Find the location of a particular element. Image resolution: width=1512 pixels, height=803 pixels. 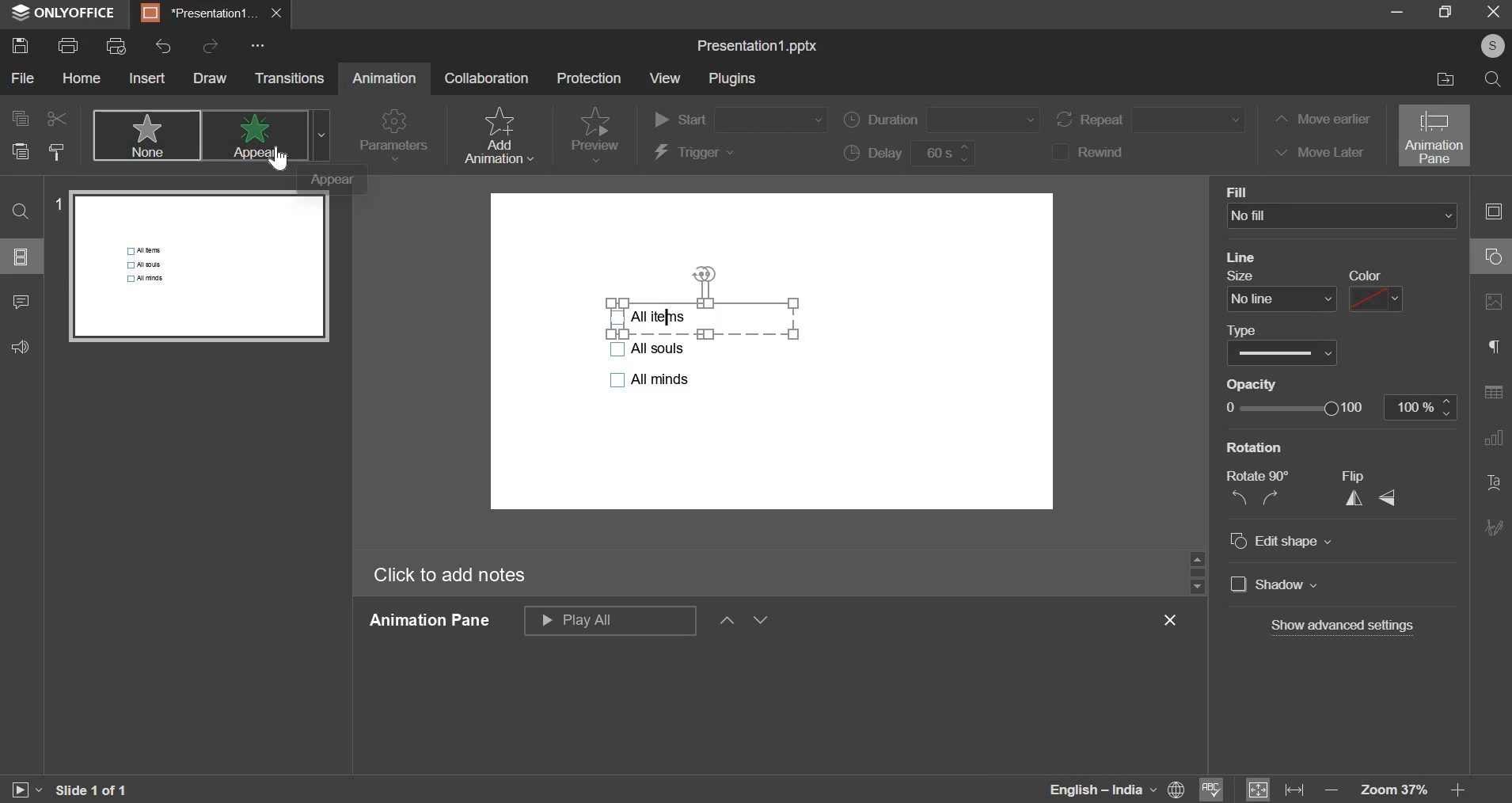

delay is located at coordinates (913, 154).